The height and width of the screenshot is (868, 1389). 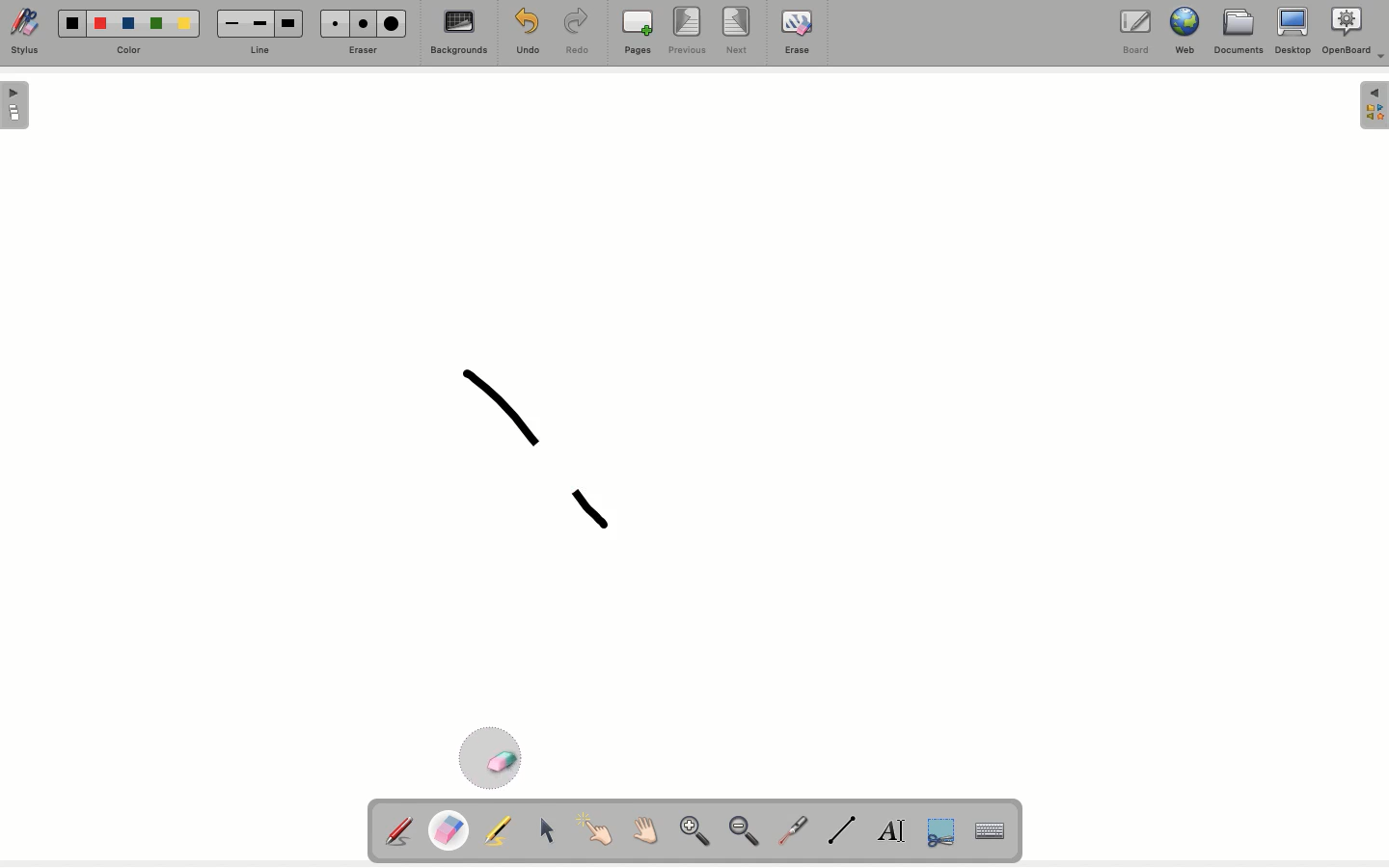 I want to click on Redo, so click(x=579, y=34).